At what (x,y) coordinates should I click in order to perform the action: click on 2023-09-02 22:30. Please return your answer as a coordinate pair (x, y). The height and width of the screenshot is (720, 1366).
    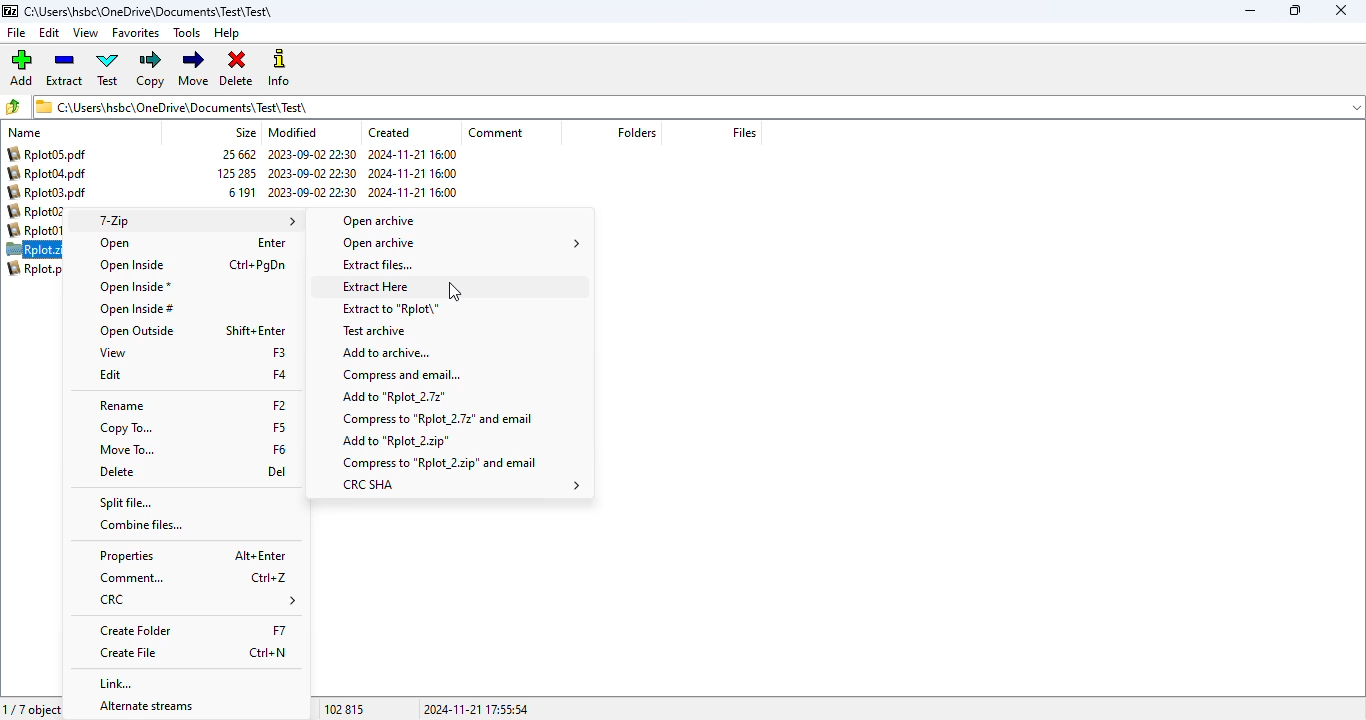
    Looking at the image, I should click on (312, 154).